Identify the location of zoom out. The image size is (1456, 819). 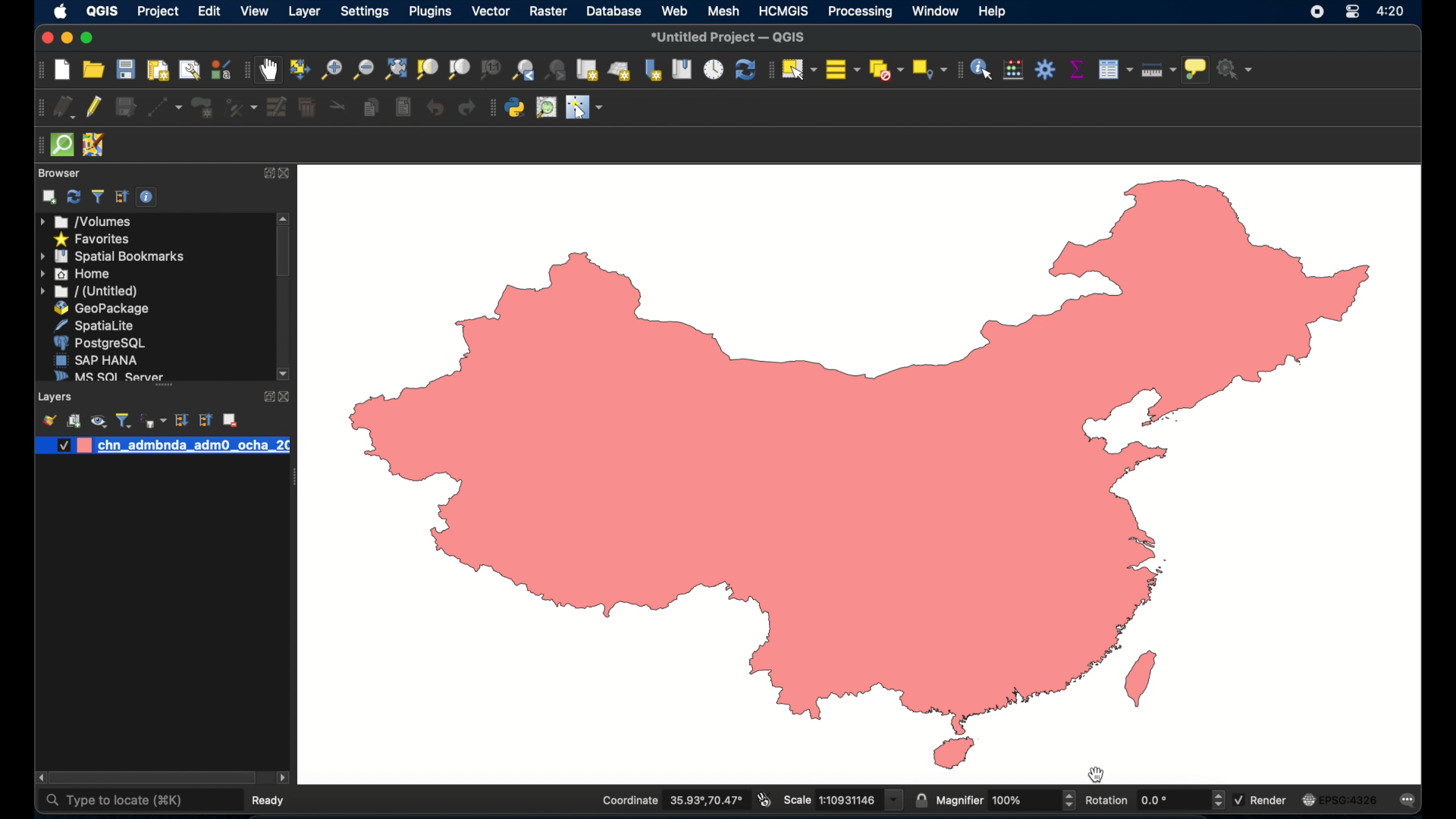
(361, 70).